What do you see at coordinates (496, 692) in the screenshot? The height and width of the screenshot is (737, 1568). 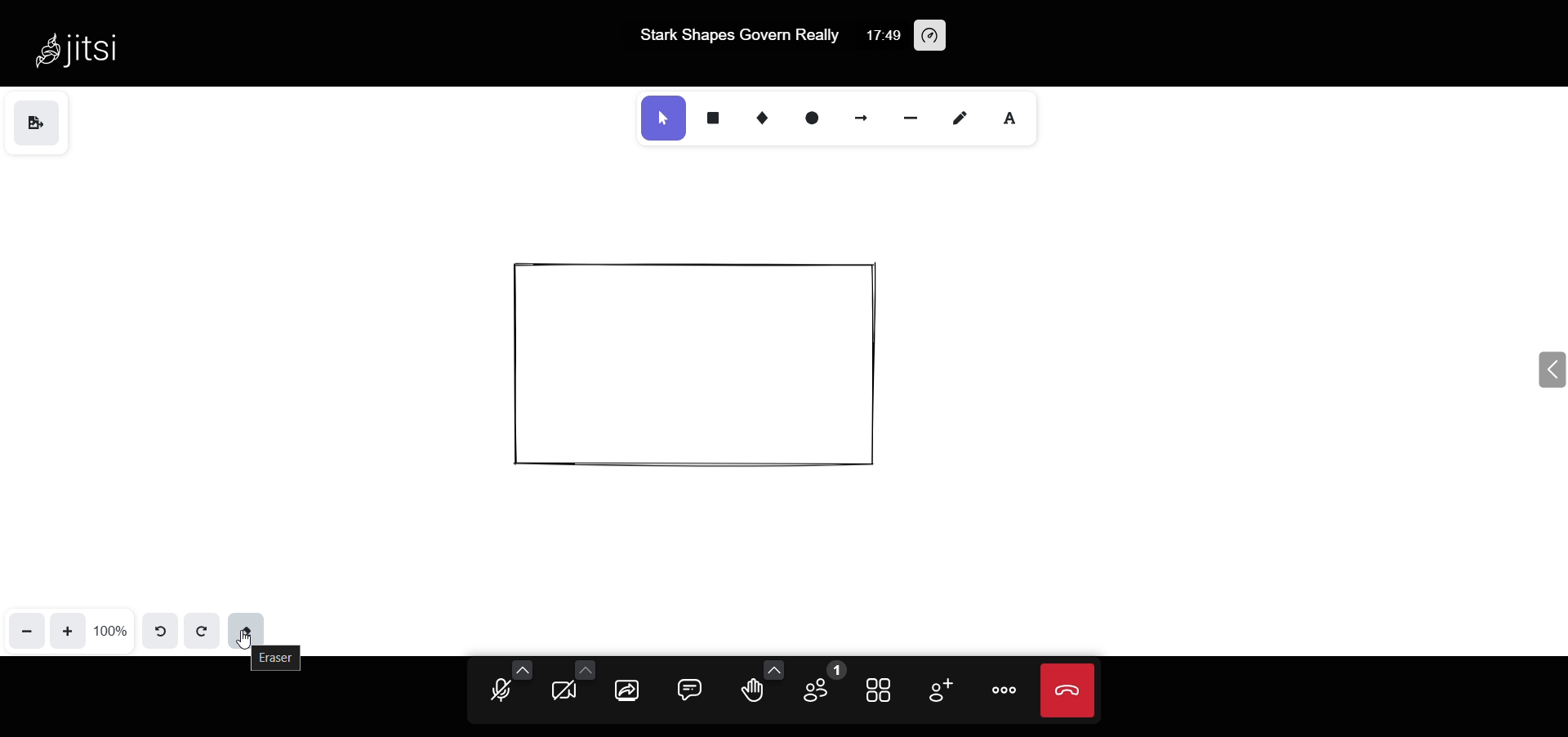 I see `microphone` at bounding box center [496, 692].